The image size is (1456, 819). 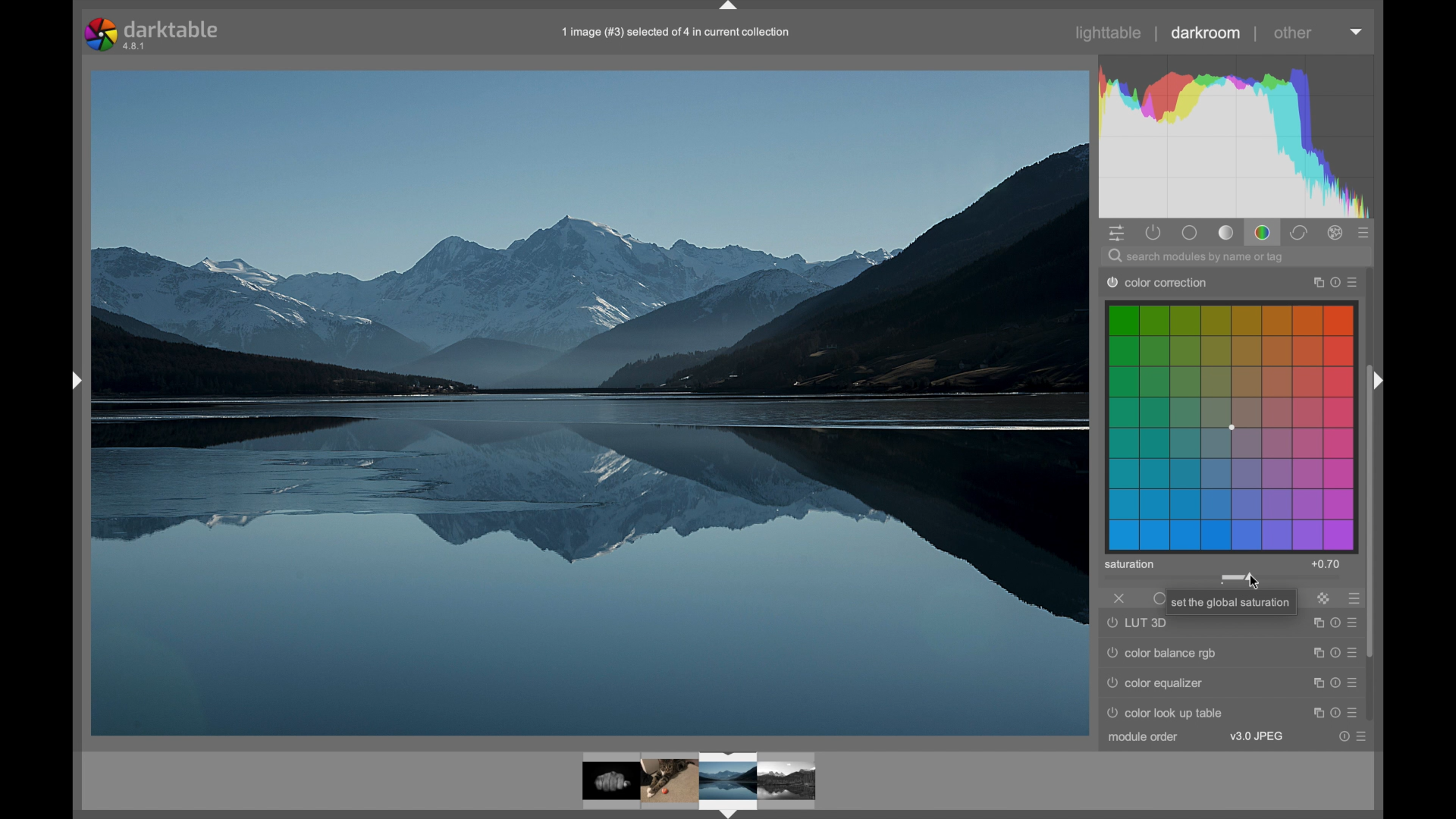 I want to click on slider, so click(x=1238, y=577).